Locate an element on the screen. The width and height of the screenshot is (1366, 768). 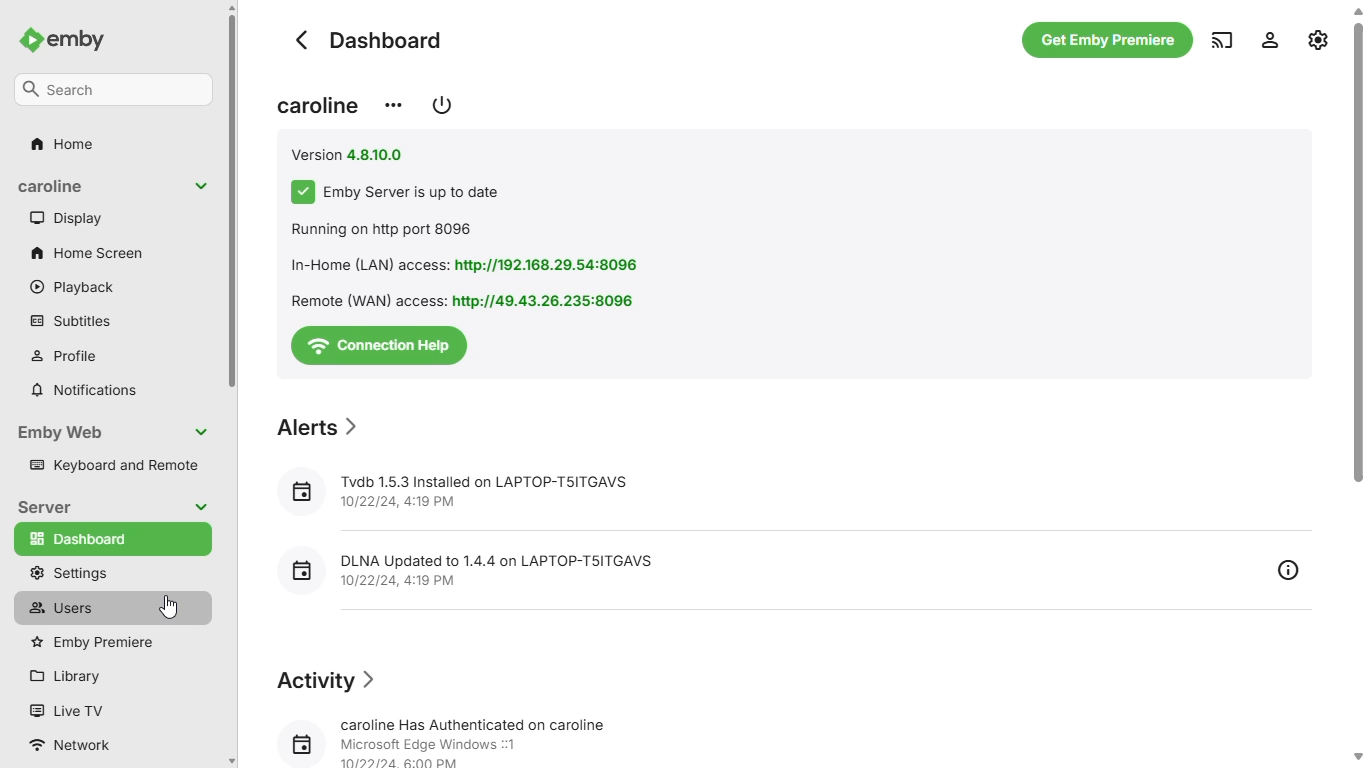
users is located at coordinates (82, 607).